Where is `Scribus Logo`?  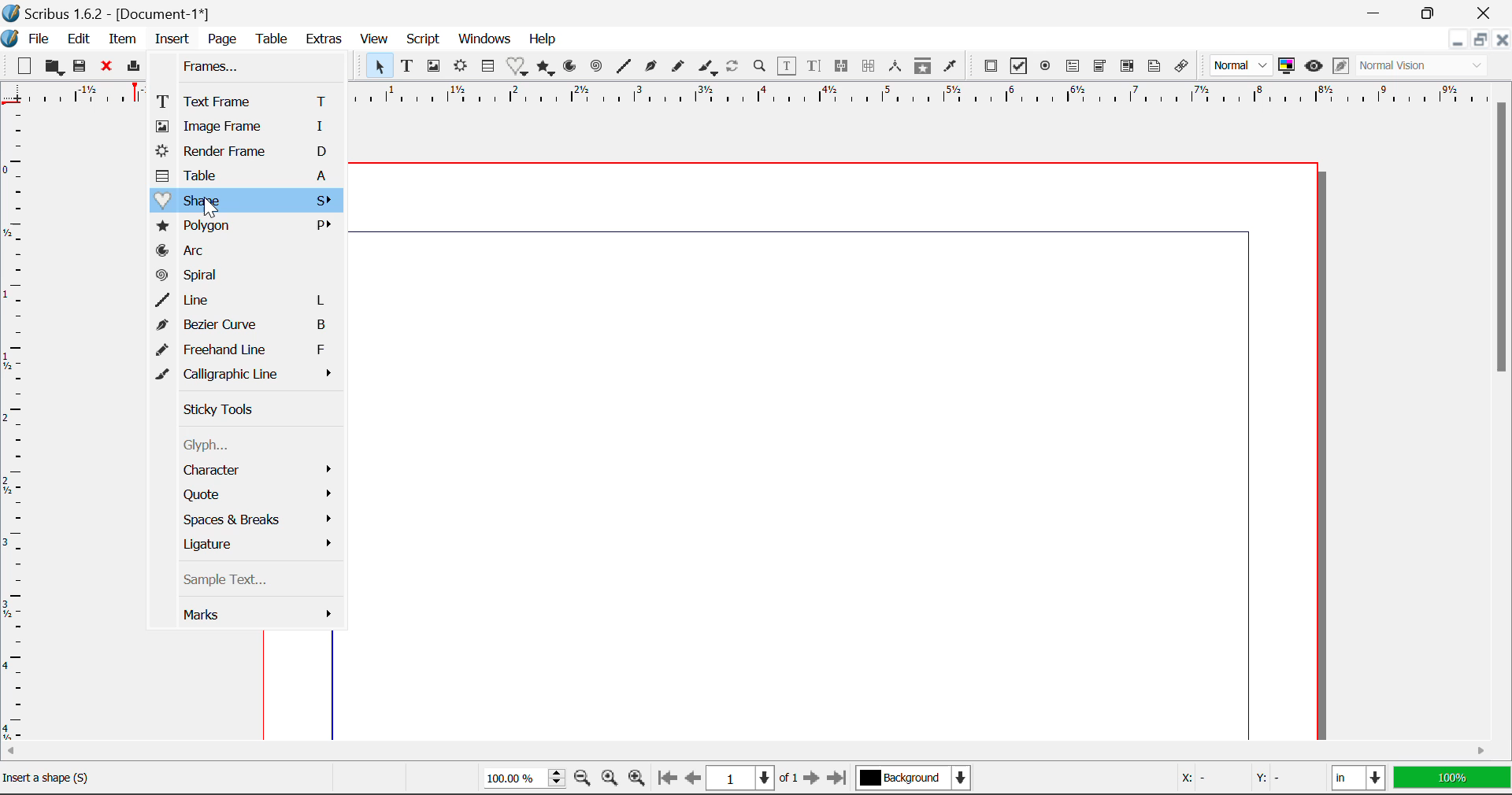
Scribus Logo is located at coordinates (9, 39).